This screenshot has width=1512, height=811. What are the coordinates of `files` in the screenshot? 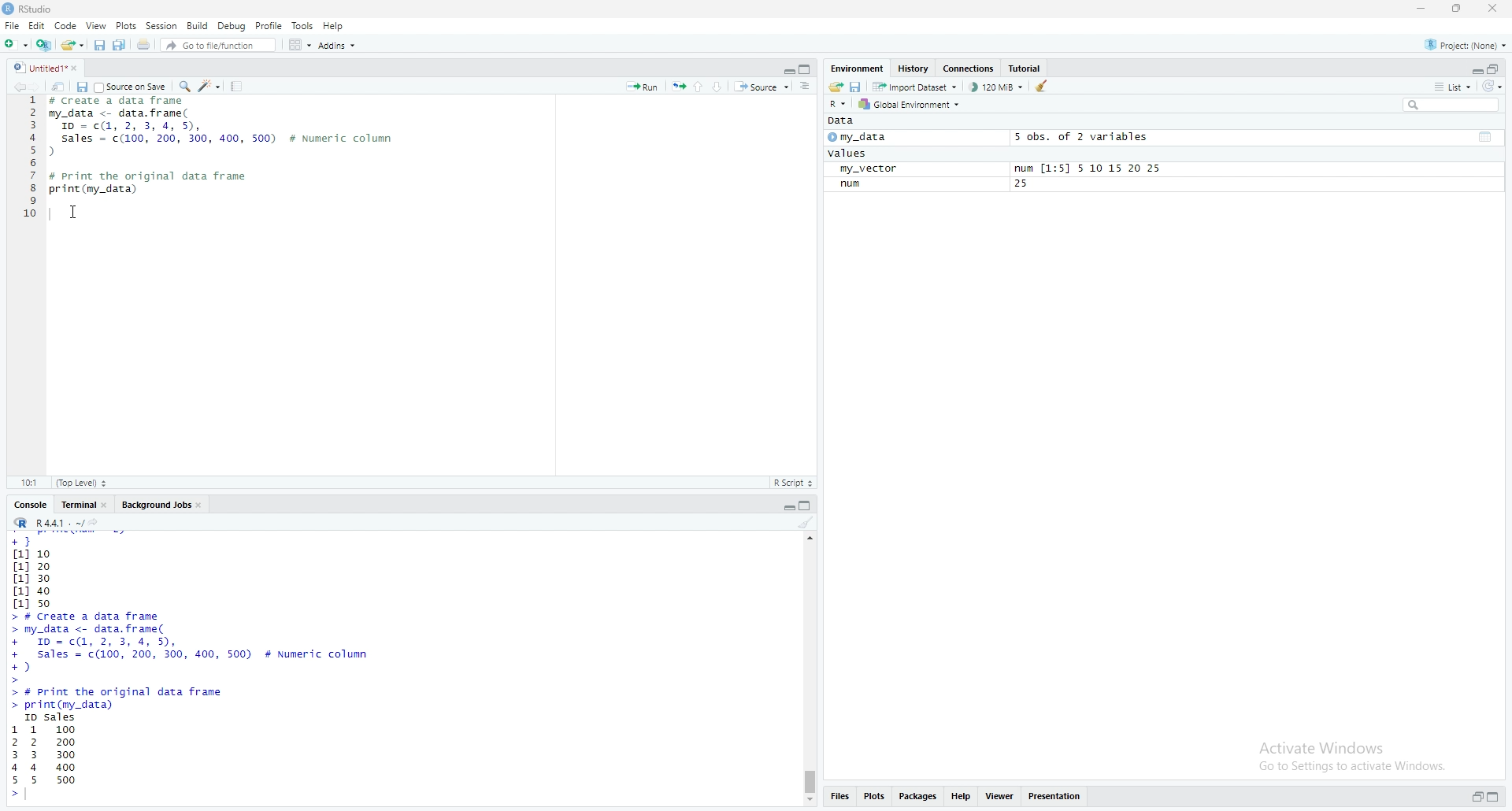 It's located at (844, 798).